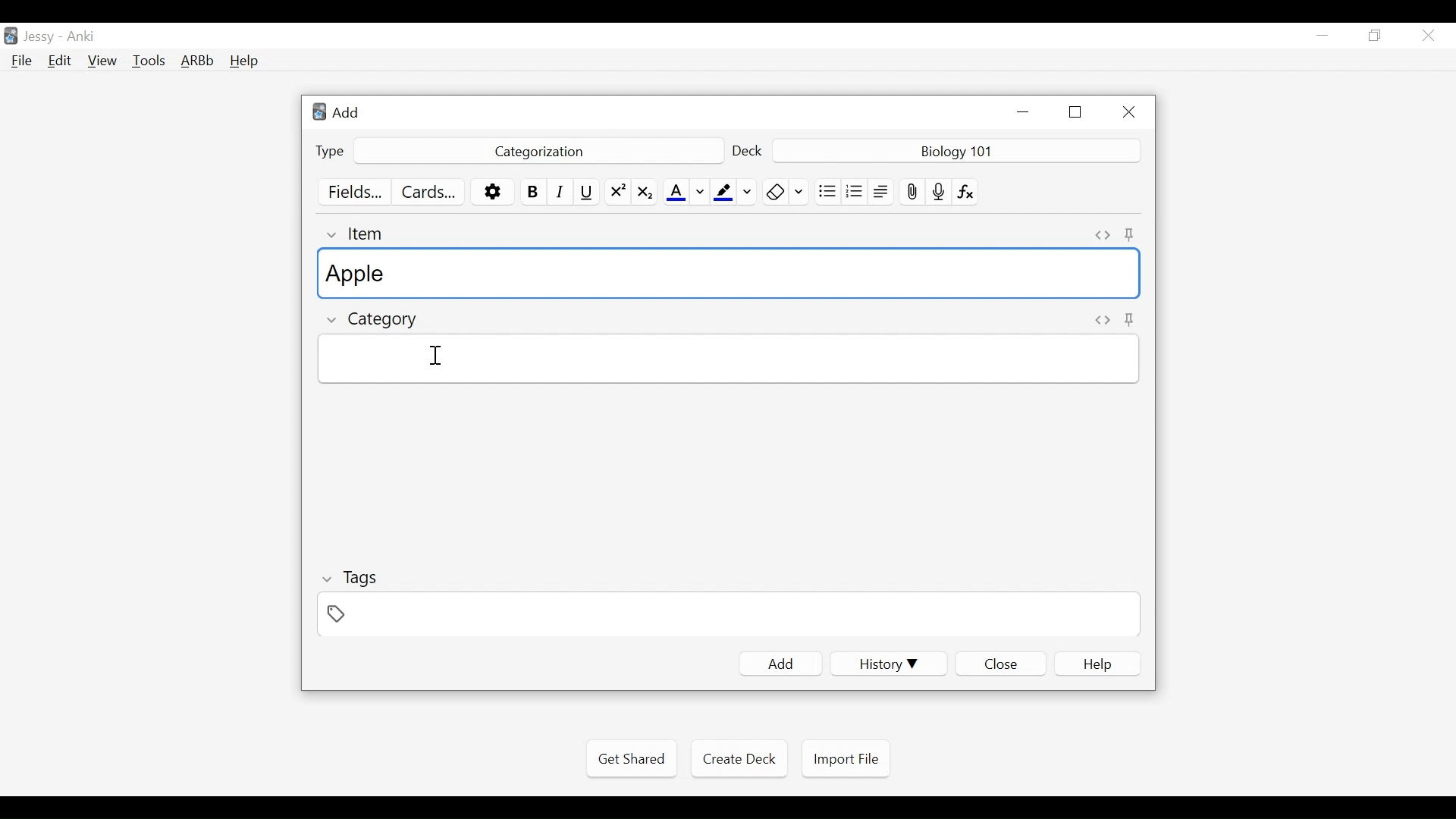  What do you see at coordinates (1131, 318) in the screenshot?
I see `Toggle sticky` at bounding box center [1131, 318].